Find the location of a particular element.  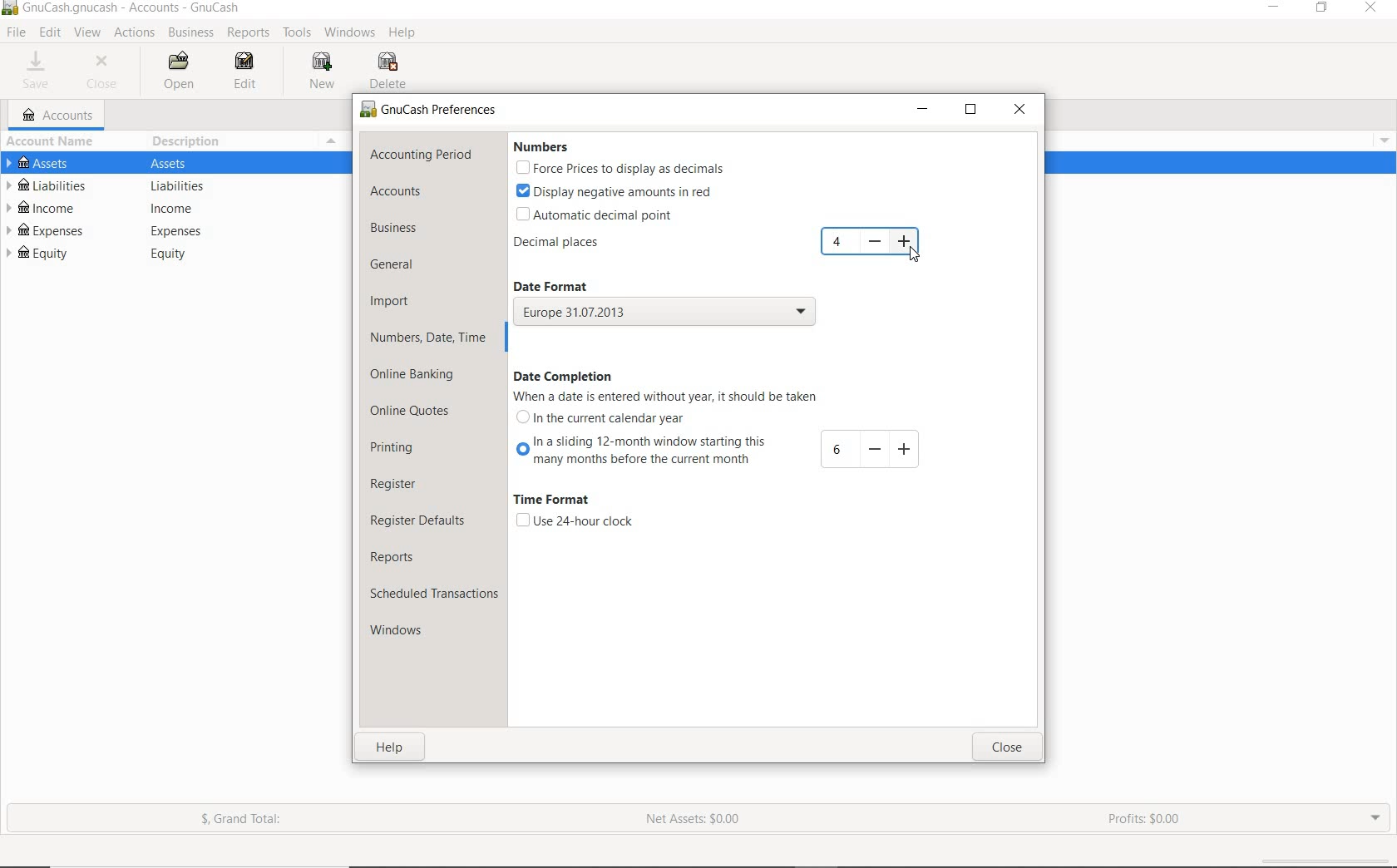

windows is located at coordinates (406, 630).